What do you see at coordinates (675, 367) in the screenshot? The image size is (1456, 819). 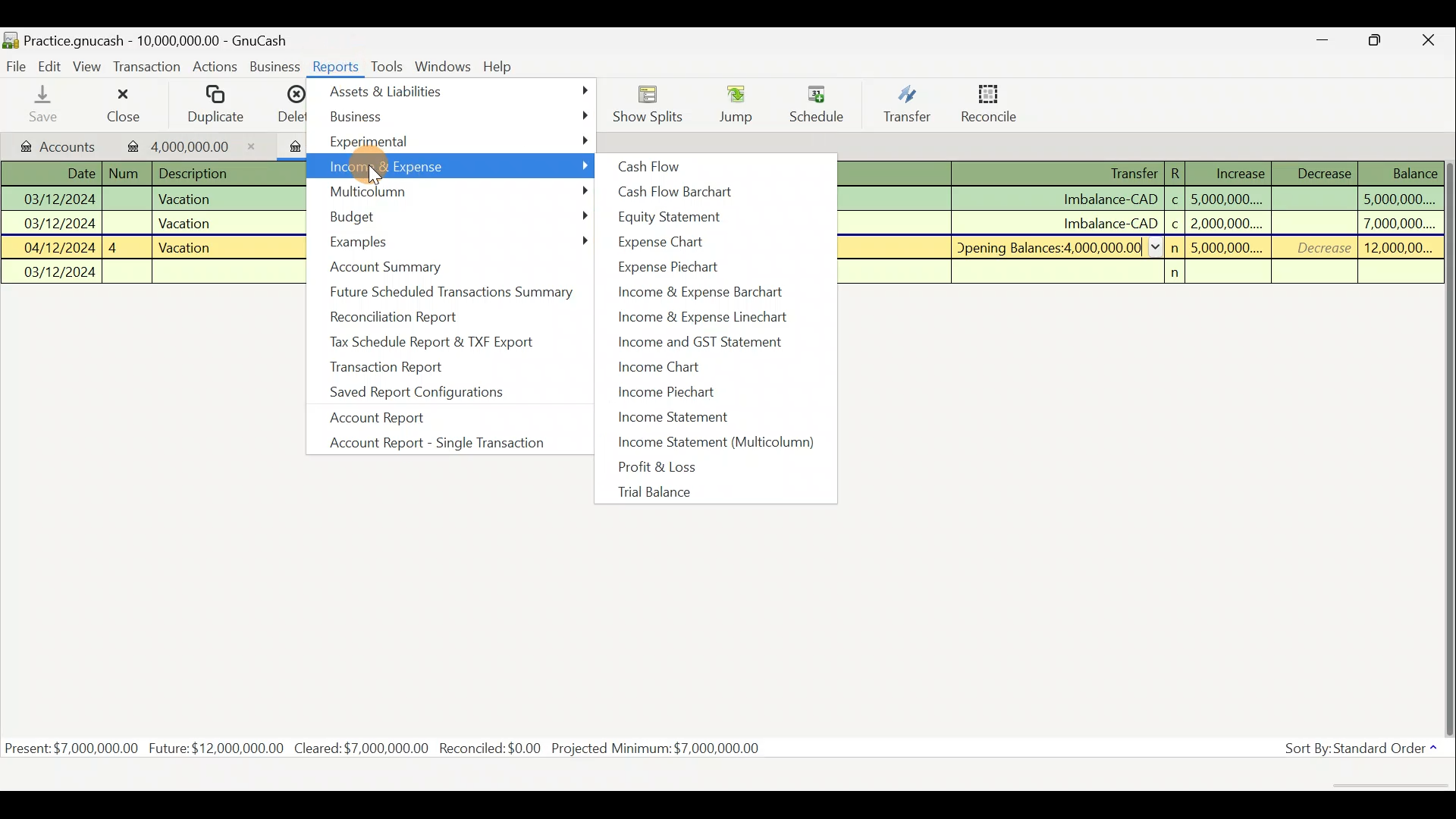 I see `Income chart` at bounding box center [675, 367].